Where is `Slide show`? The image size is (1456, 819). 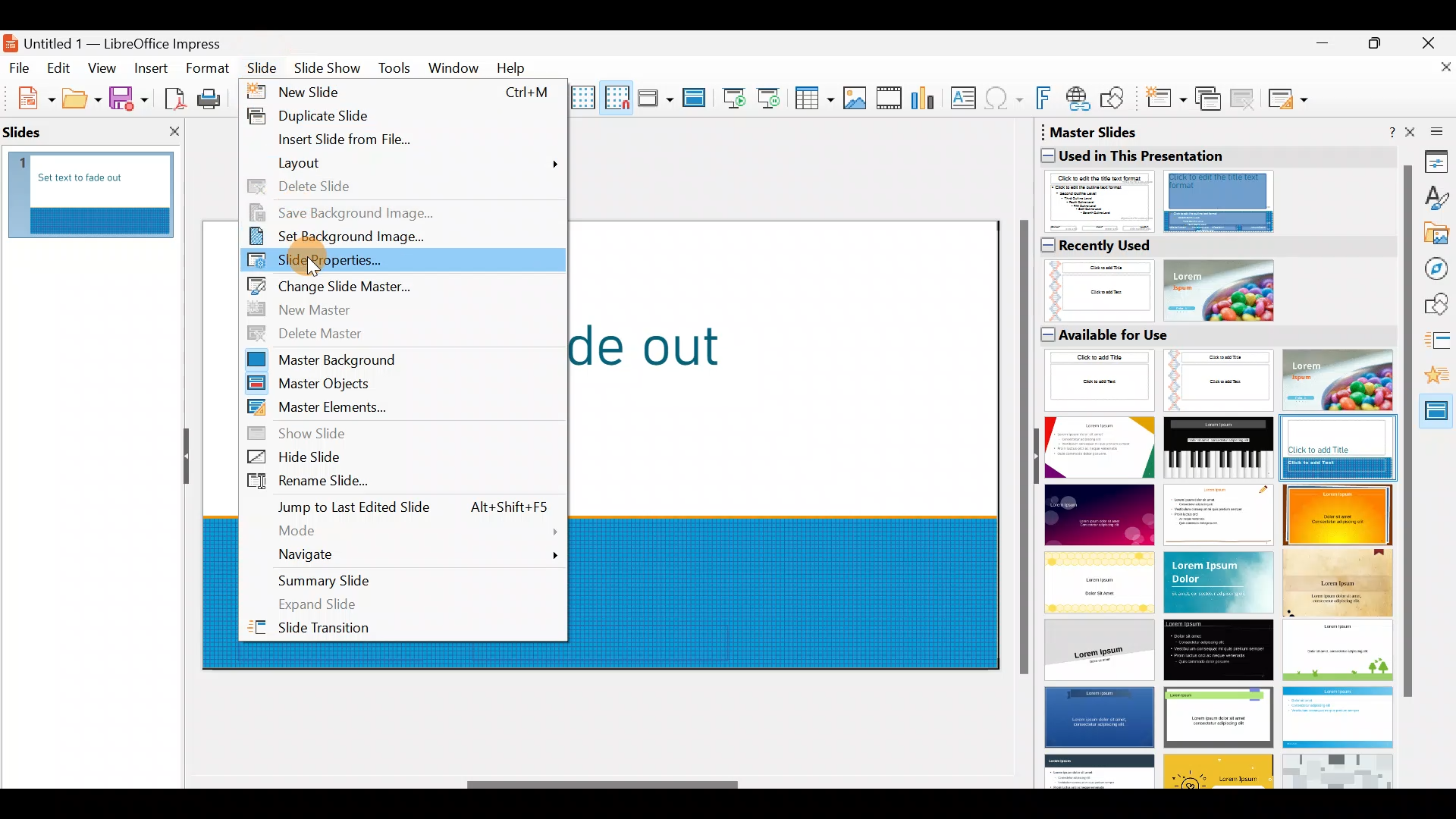
Slide show is located at coordinates (331, 71).